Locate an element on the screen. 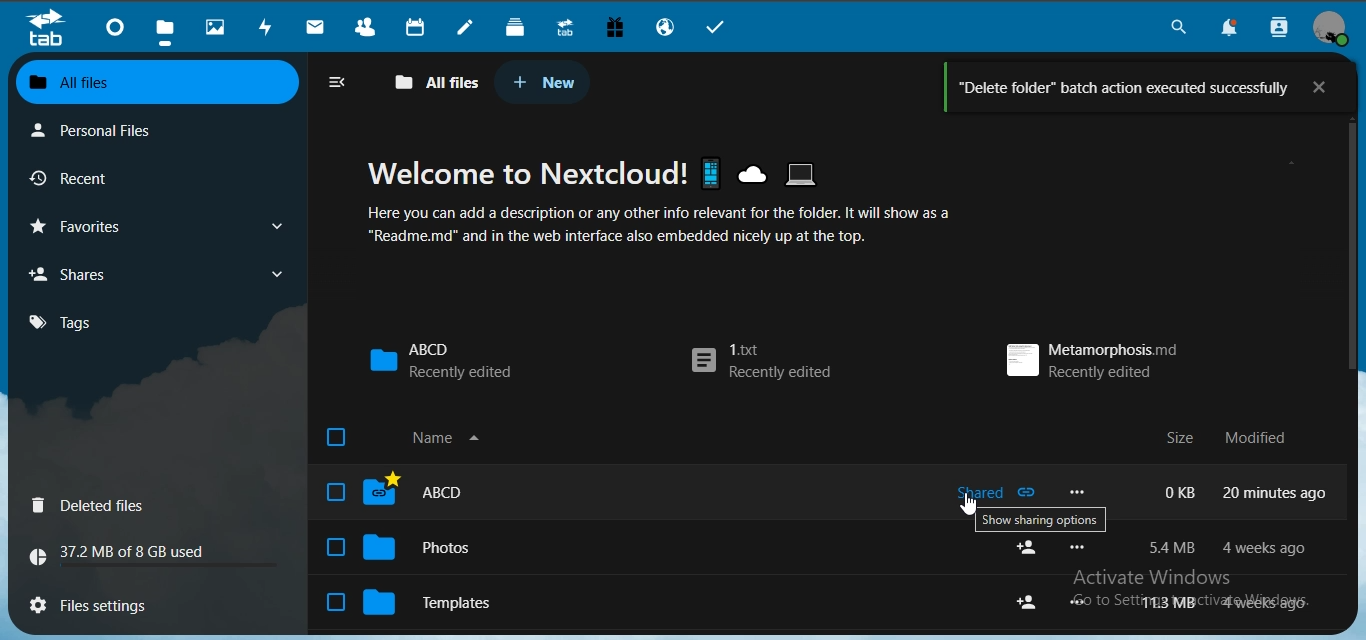 The height and width of the screenshot is (640, 1366). metamorphosis.md recently edited is located at coordinates (1093, 357).